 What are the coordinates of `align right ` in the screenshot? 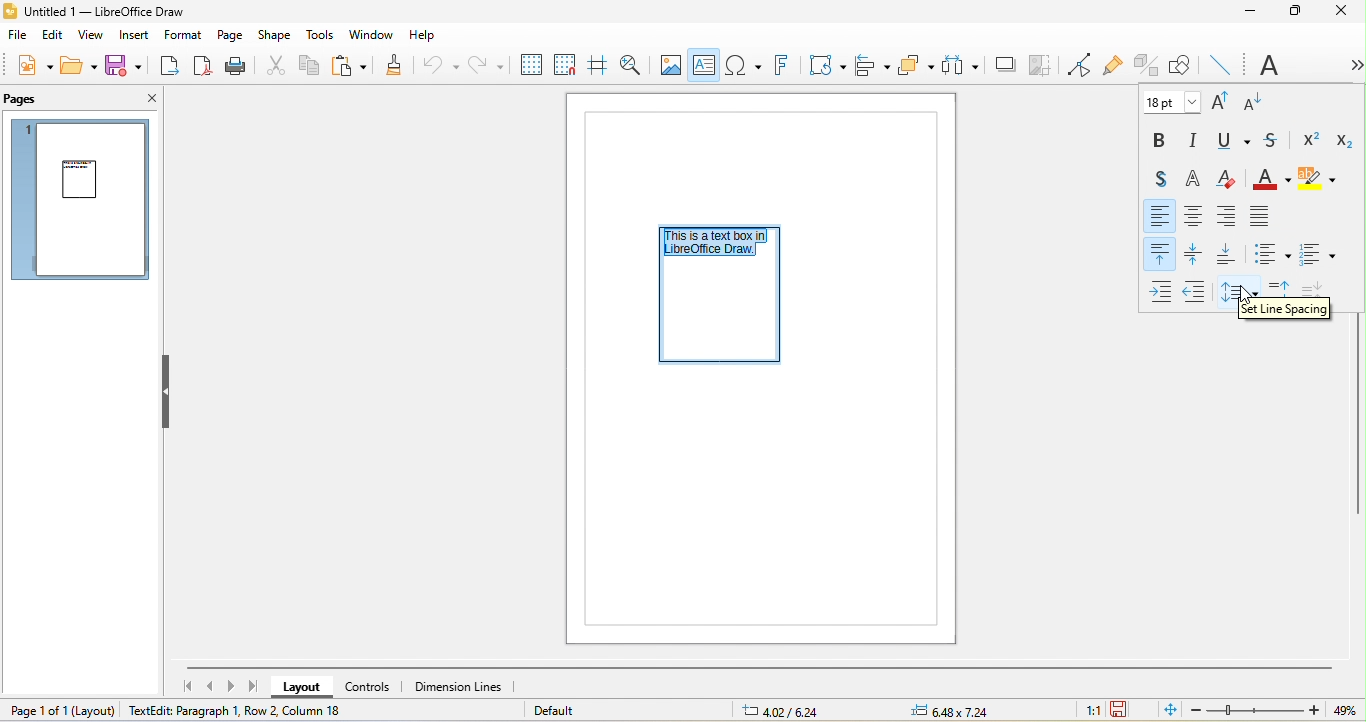 It's located at (1226, 216).